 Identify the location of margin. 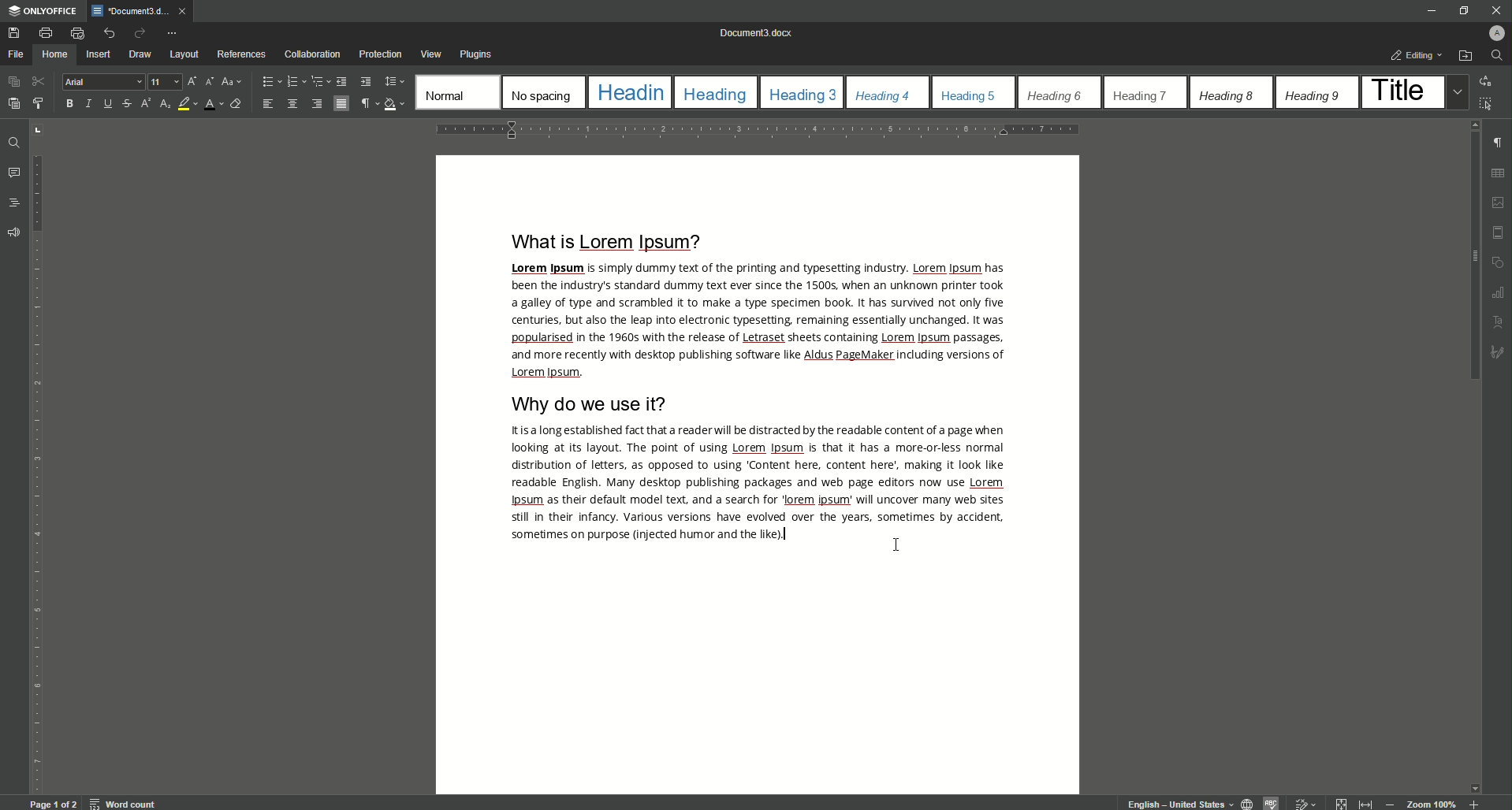
(1499, 229).